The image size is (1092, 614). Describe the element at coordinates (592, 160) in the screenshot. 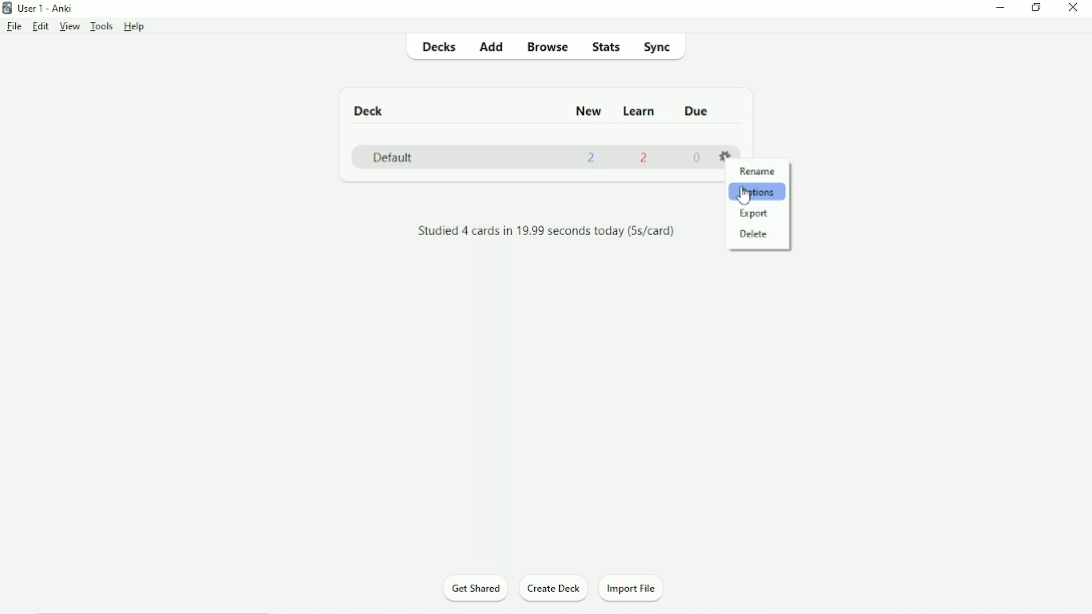

I see `2` at that location.